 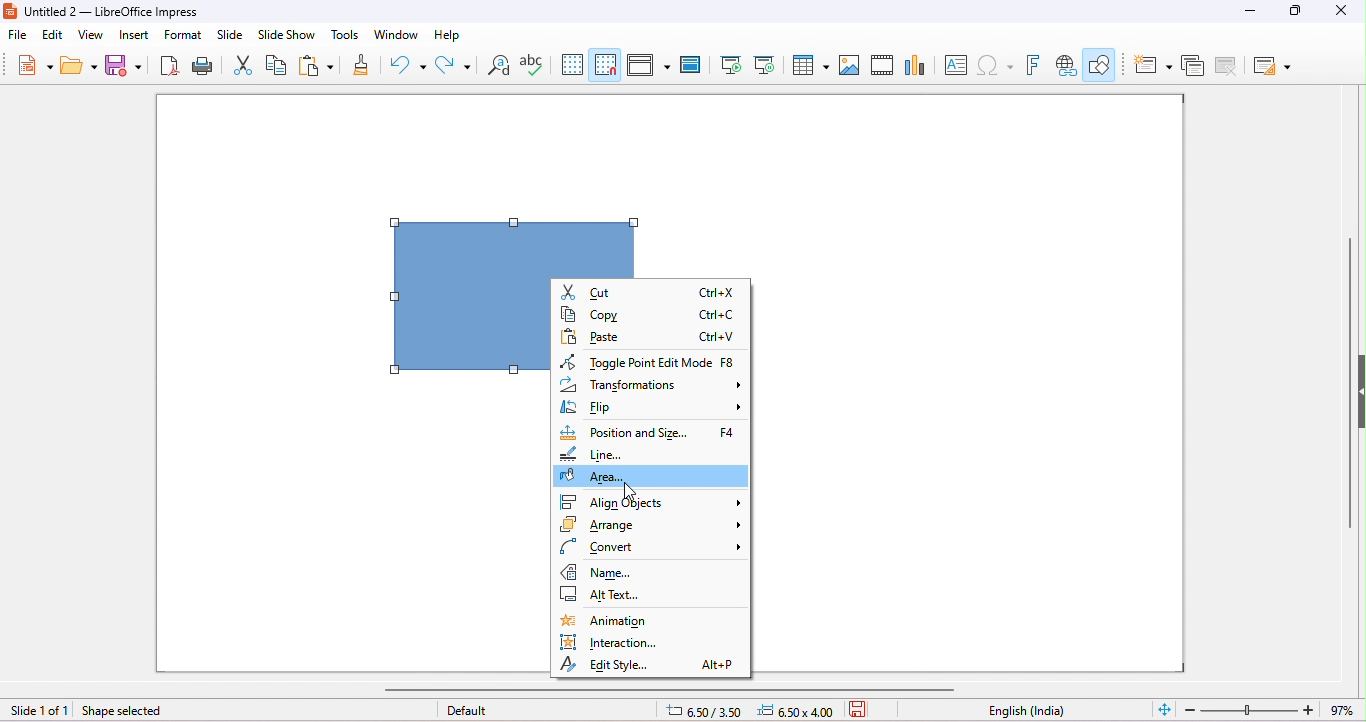 What do you see at coordinates (650, 664) in the screenshot?
I see `edit style    Alt+P` at bounding box center [650, 664].